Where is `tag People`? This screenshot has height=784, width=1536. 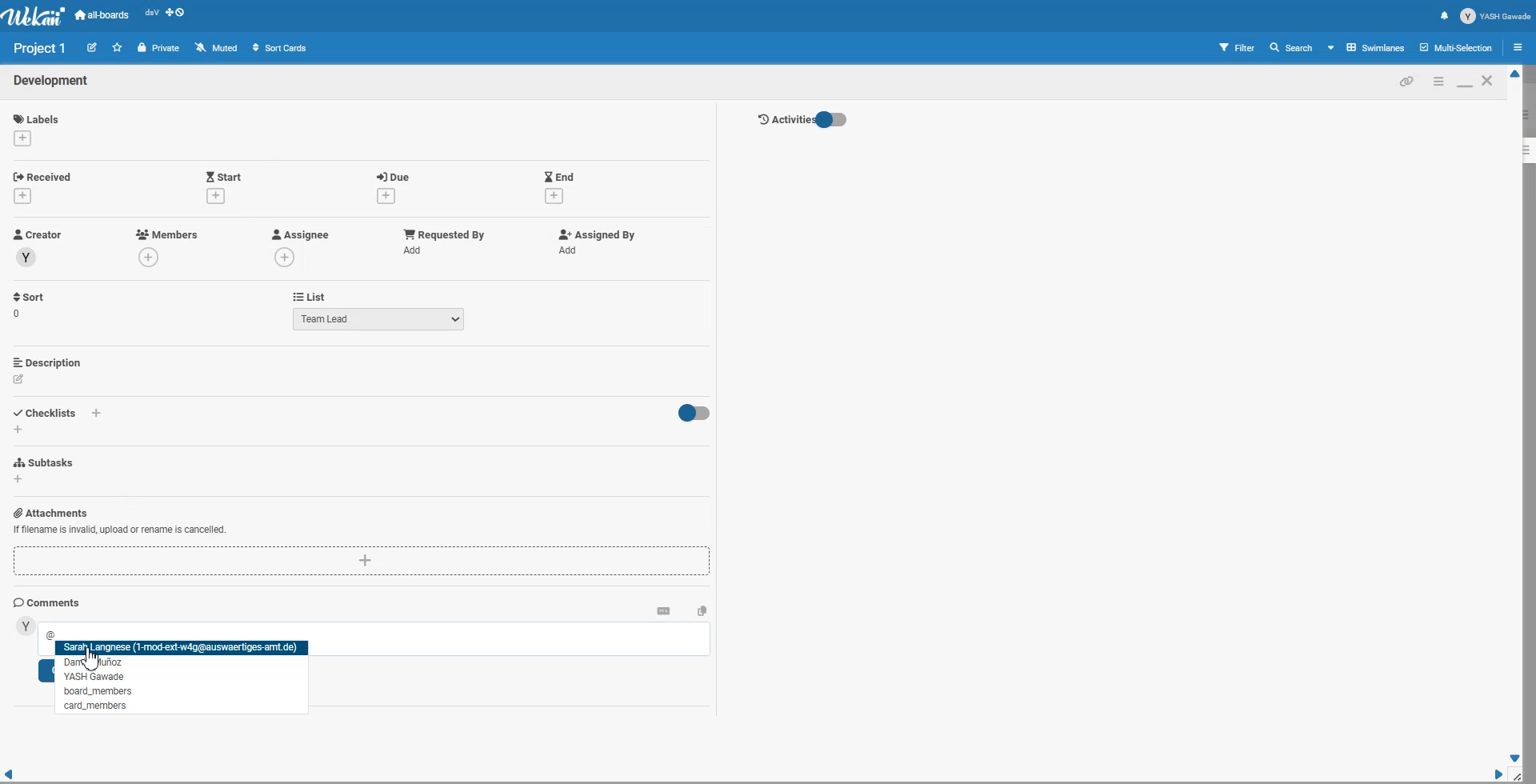
tag People is located at coordinates (99, 704).